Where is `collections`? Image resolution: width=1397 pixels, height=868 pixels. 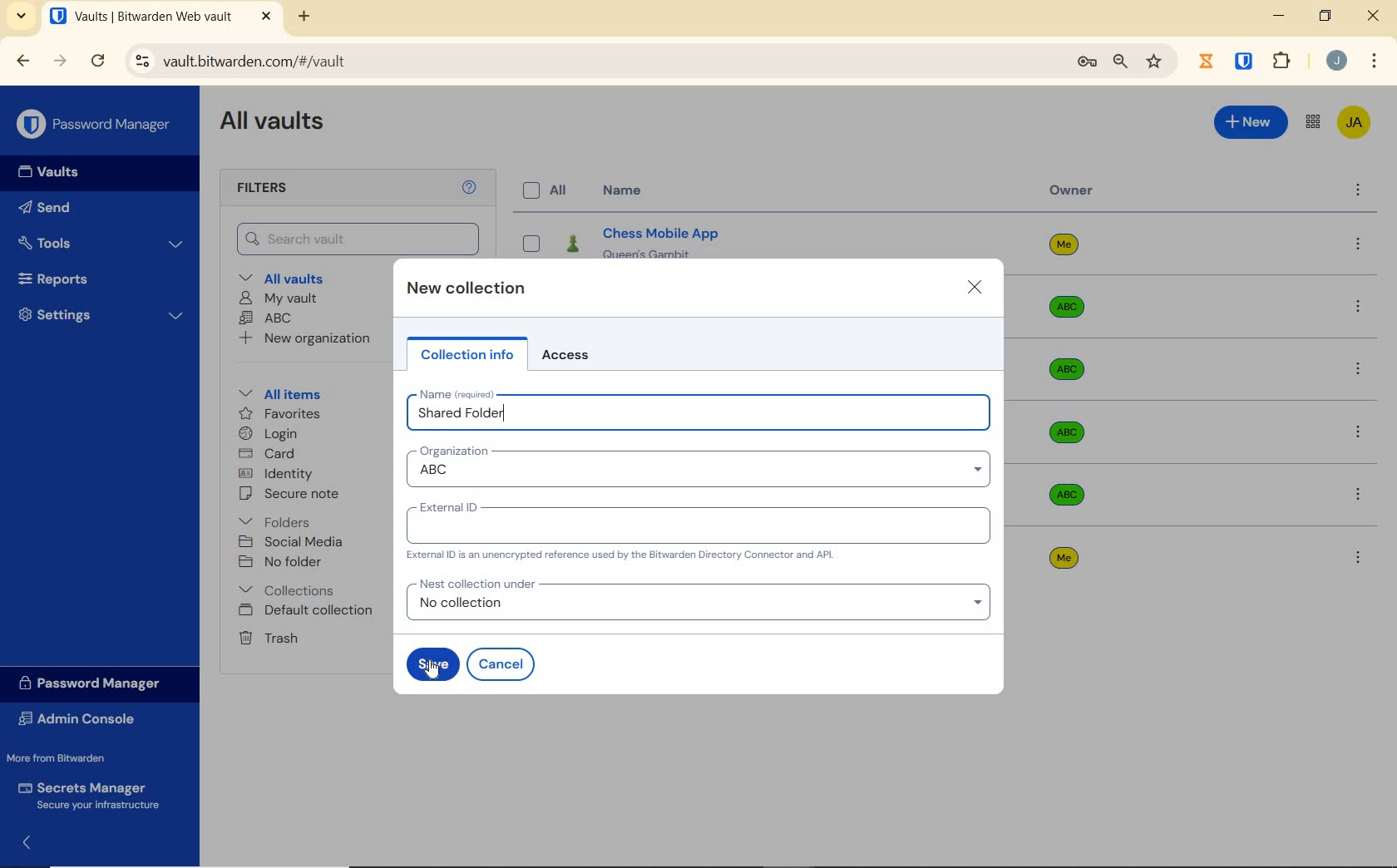
collections is located at coordinates (289, 589).